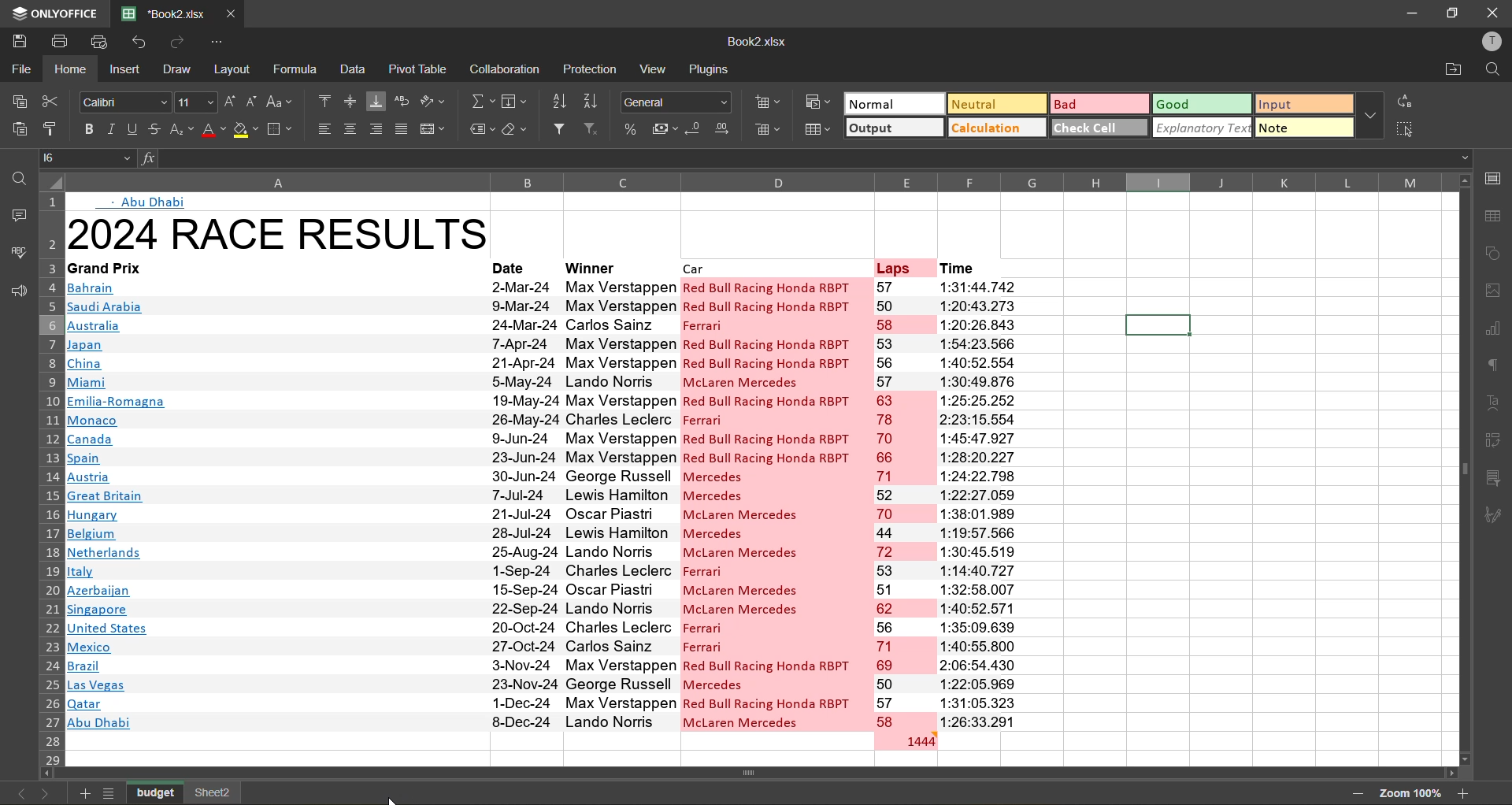 Image resolution: width=1512 pixels, height=805 pixels. What do you see at coordinates (151, 129) in the screenshot?
I see `strikethrough` at bounding box center [151, 129].